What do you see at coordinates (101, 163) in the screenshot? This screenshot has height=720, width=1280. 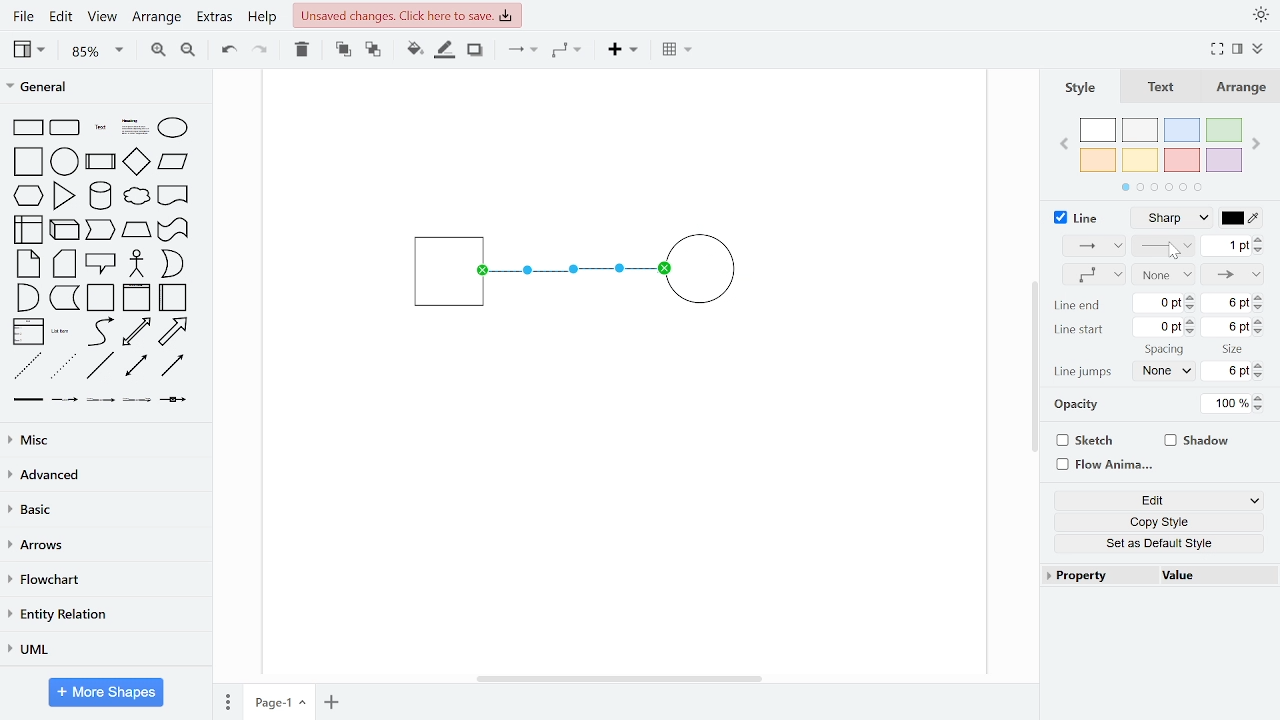 I see `process` at bounding box center [101, 163].